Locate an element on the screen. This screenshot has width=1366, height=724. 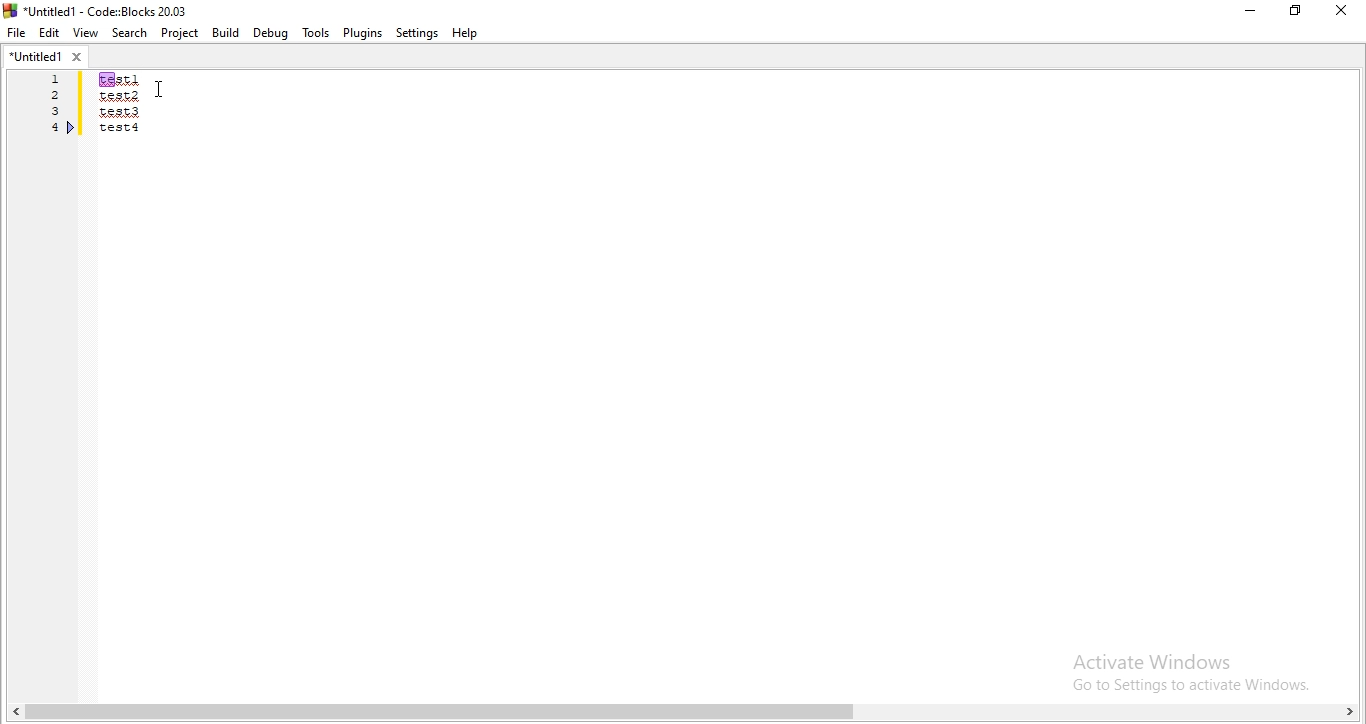
Plugins  is located at coordinates (362, 33).